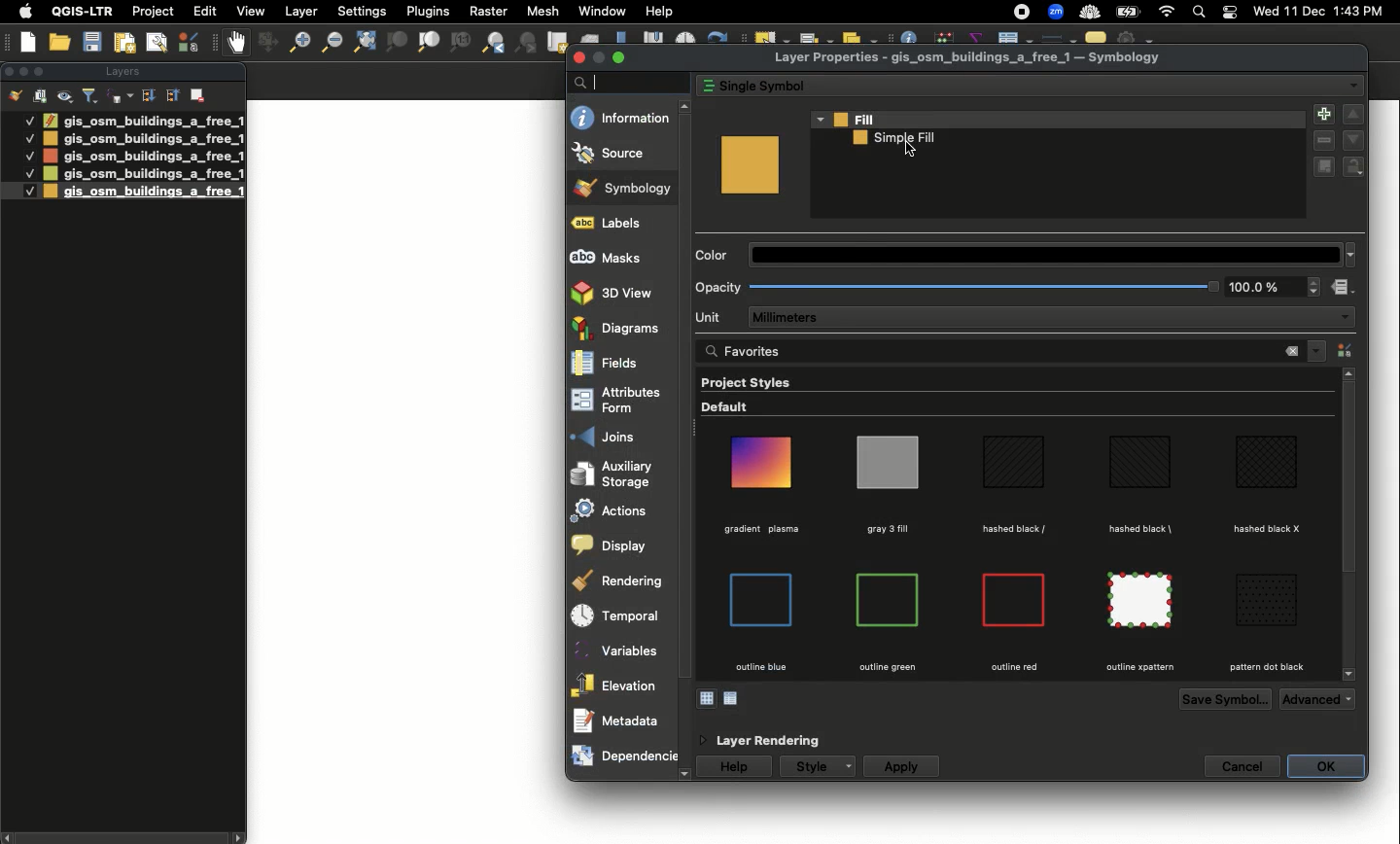 The height and width of the screenshot is (844, 1400). What do you see at coordinates (493, 43) in the screenshot?
I see `Zoom last` at bounding box center [493, 43].